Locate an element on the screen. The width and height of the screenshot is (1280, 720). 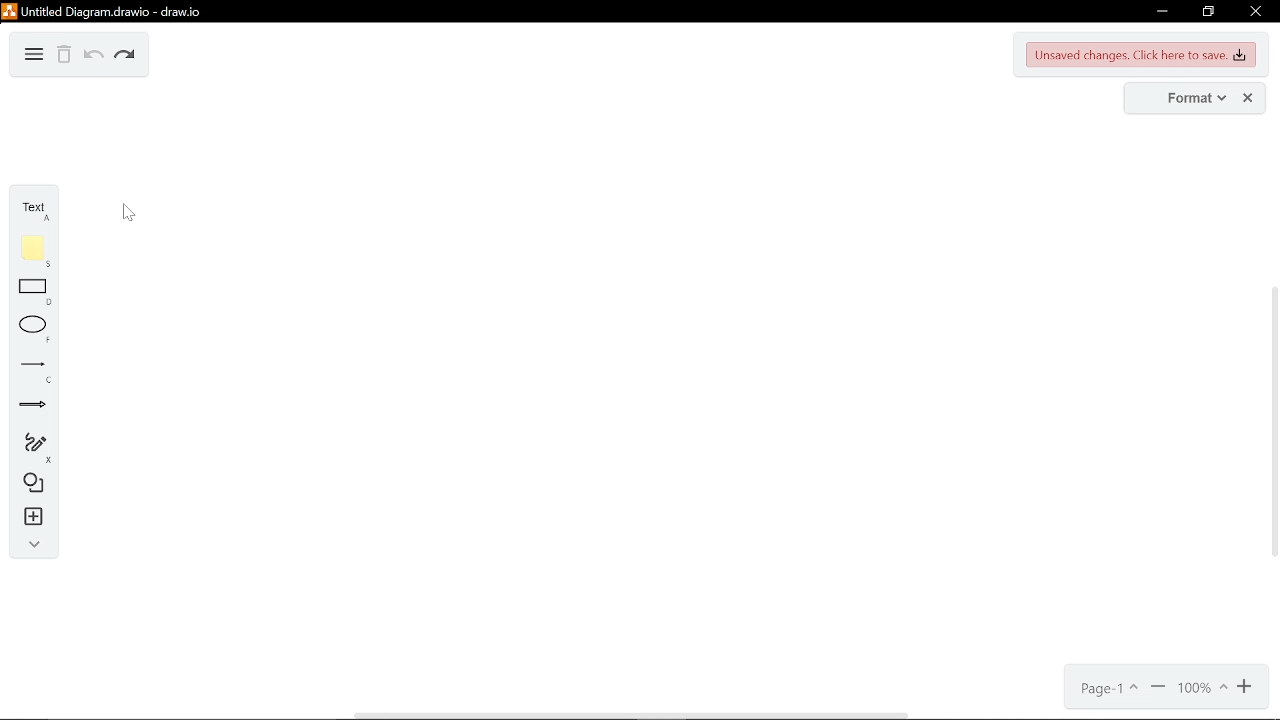
page1 is located at coordinates (1109, 692).